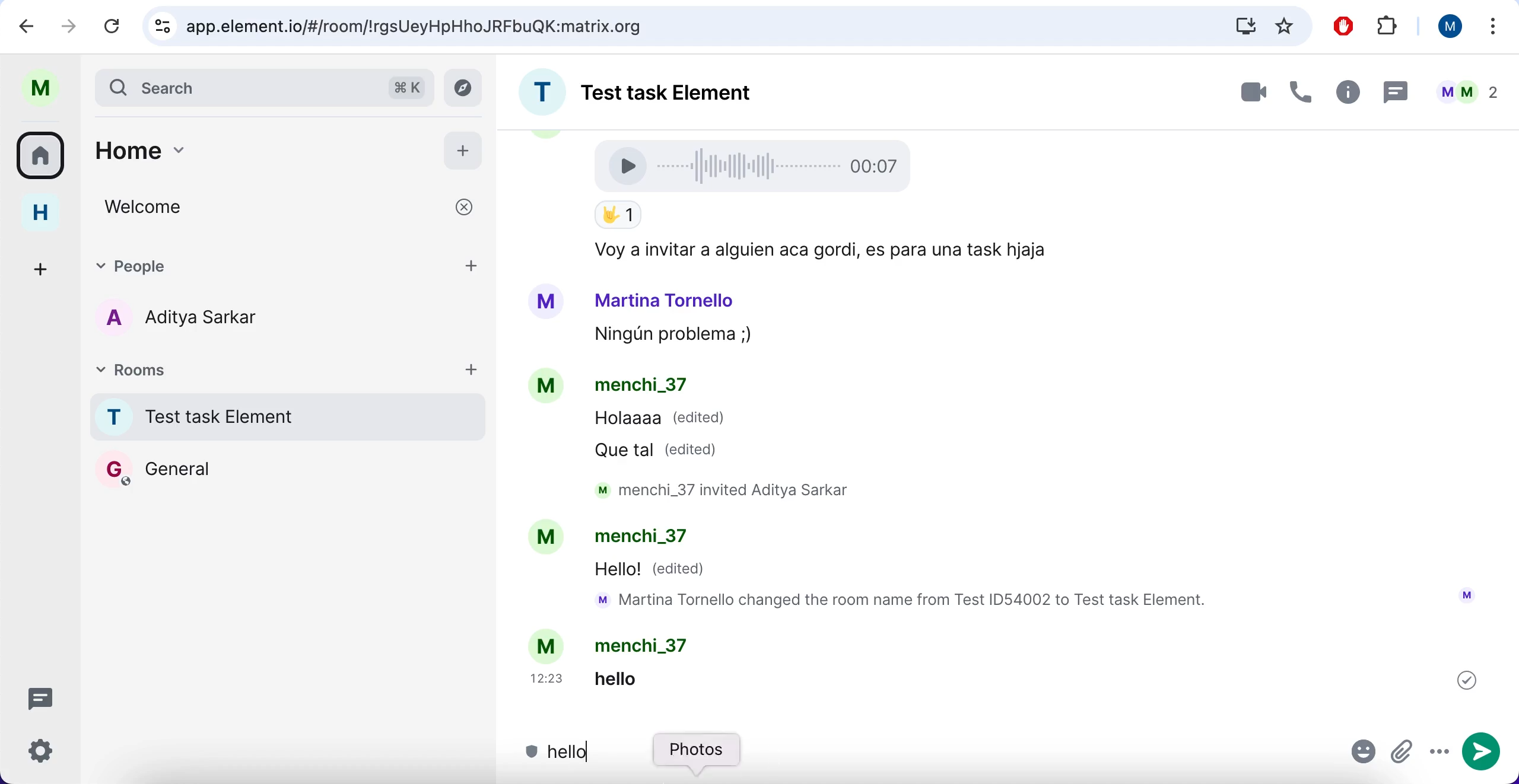 This screenshot has height=784, width=1519. What do you see at coordinates (560, 754) in the screenshot?
I see `typed message` at bounding box center [560, 754].